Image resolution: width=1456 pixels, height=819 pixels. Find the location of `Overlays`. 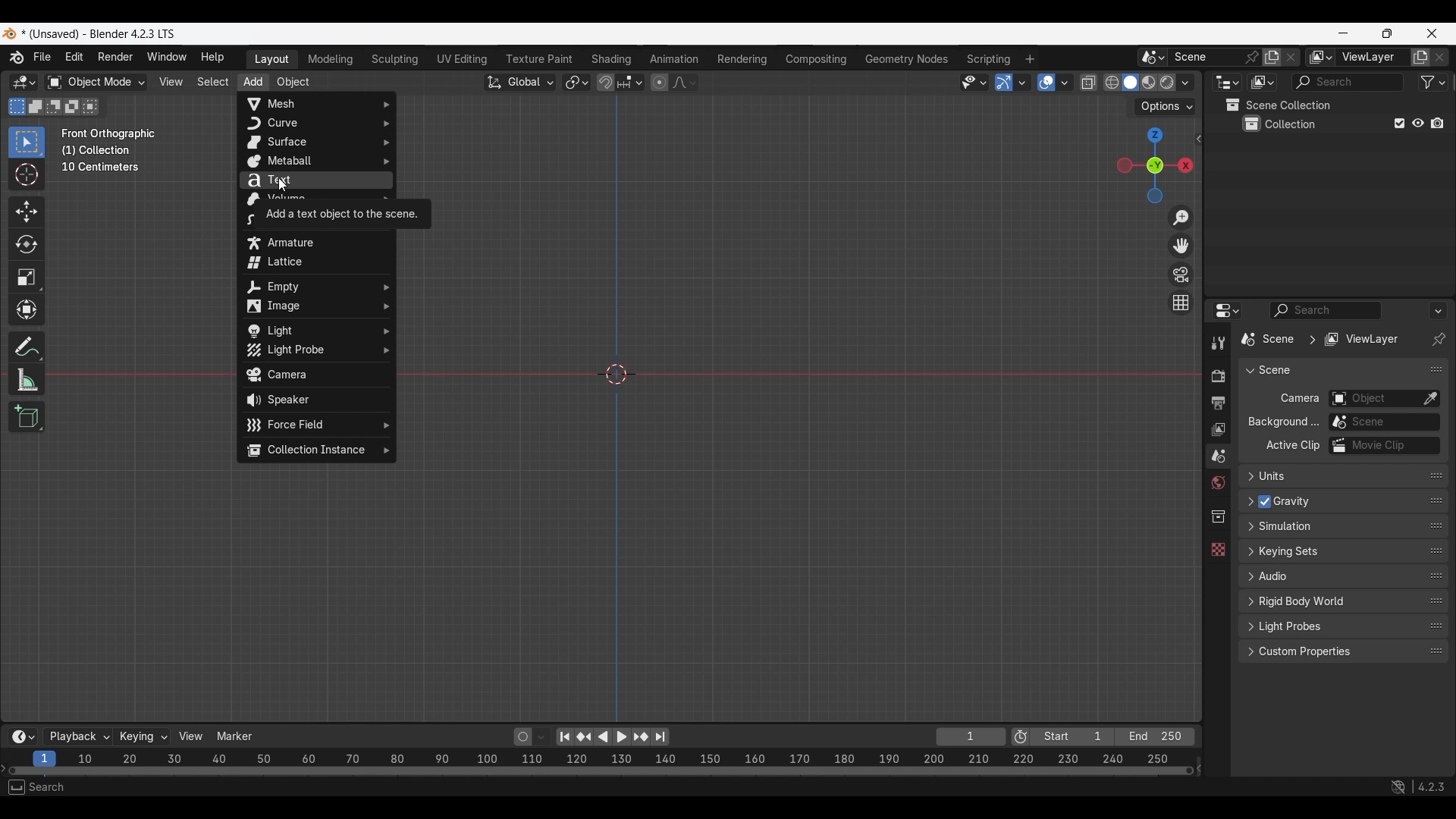

Overlays is located at coordinates (1064, 83).